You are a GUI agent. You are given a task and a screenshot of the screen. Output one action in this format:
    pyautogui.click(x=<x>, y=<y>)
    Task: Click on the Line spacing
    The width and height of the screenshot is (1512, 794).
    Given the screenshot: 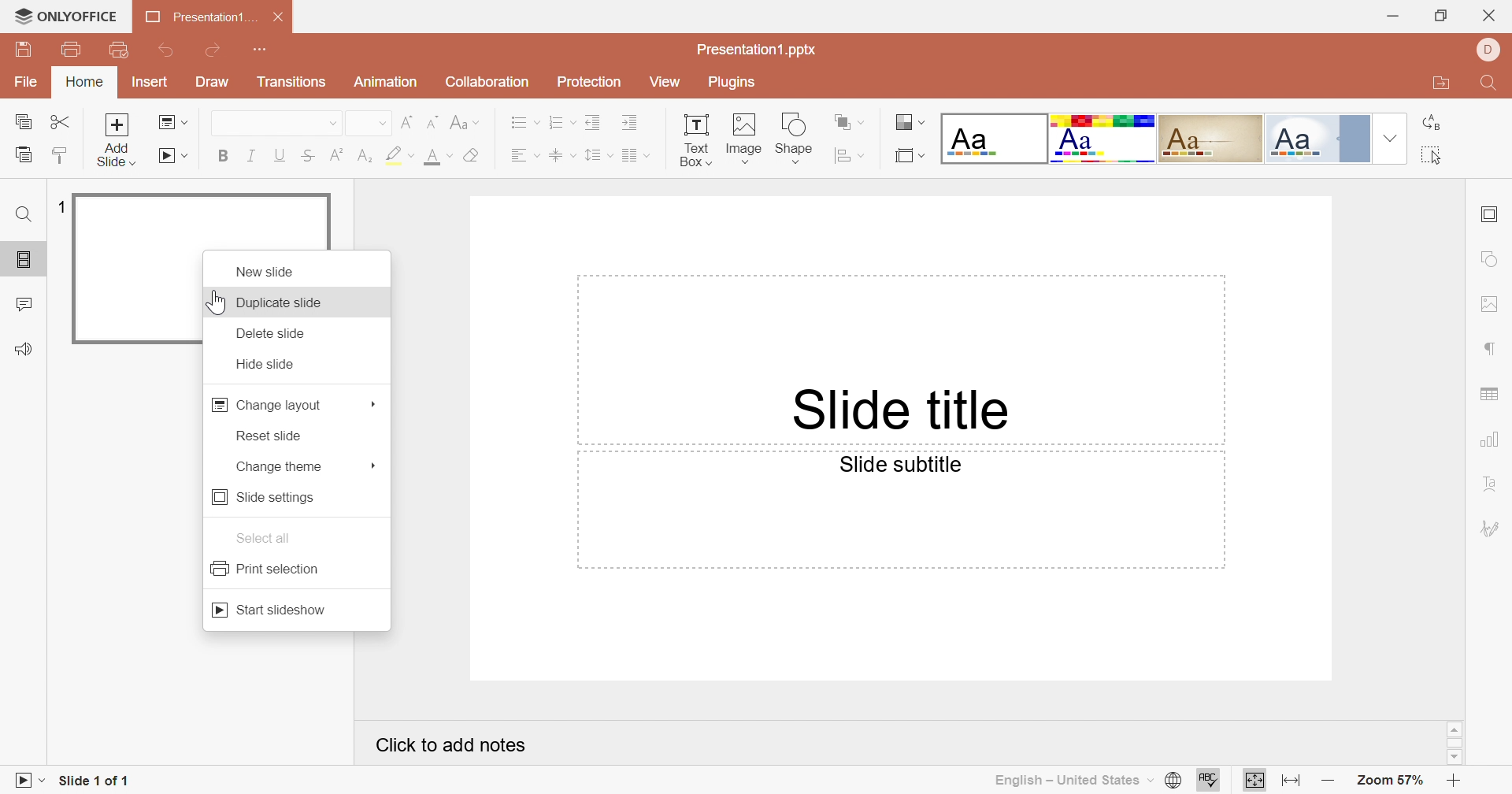 What is the action you would take?
    pyautogui.click(x=597, y=155)
    